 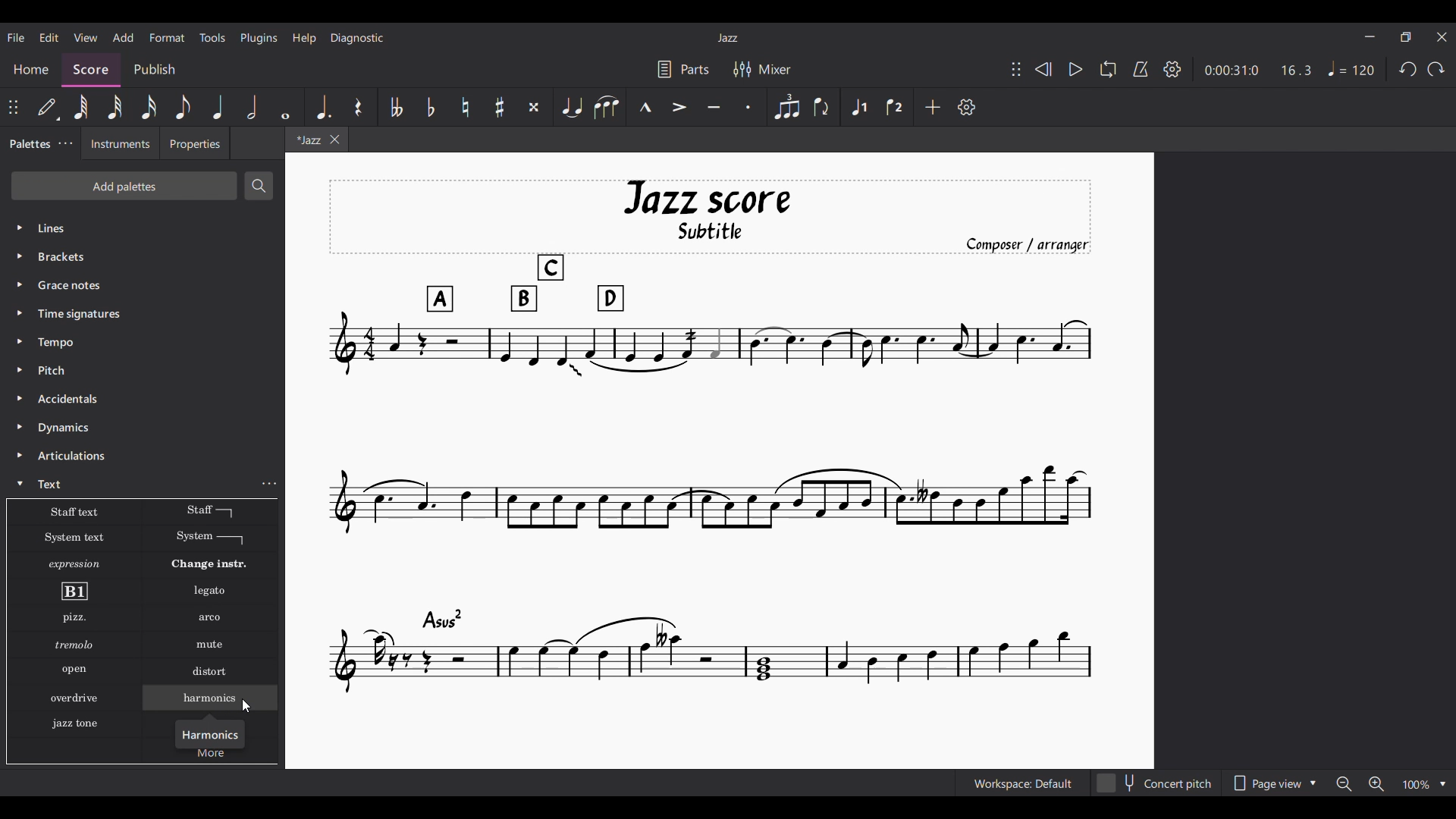 I want to click on , so click(x=71, y=670).